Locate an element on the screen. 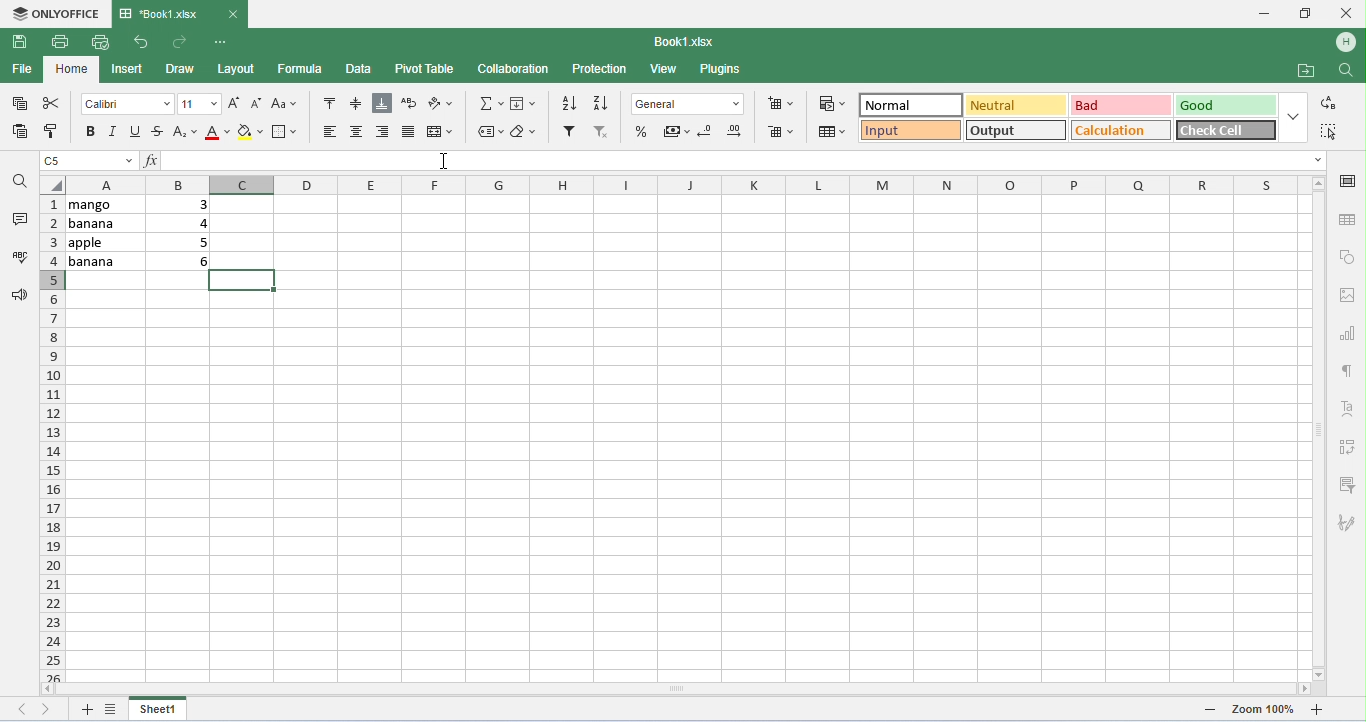 Image resolution: width=1366 pixels, height=722 pixels. copy style is located at coordinates (53, 129).